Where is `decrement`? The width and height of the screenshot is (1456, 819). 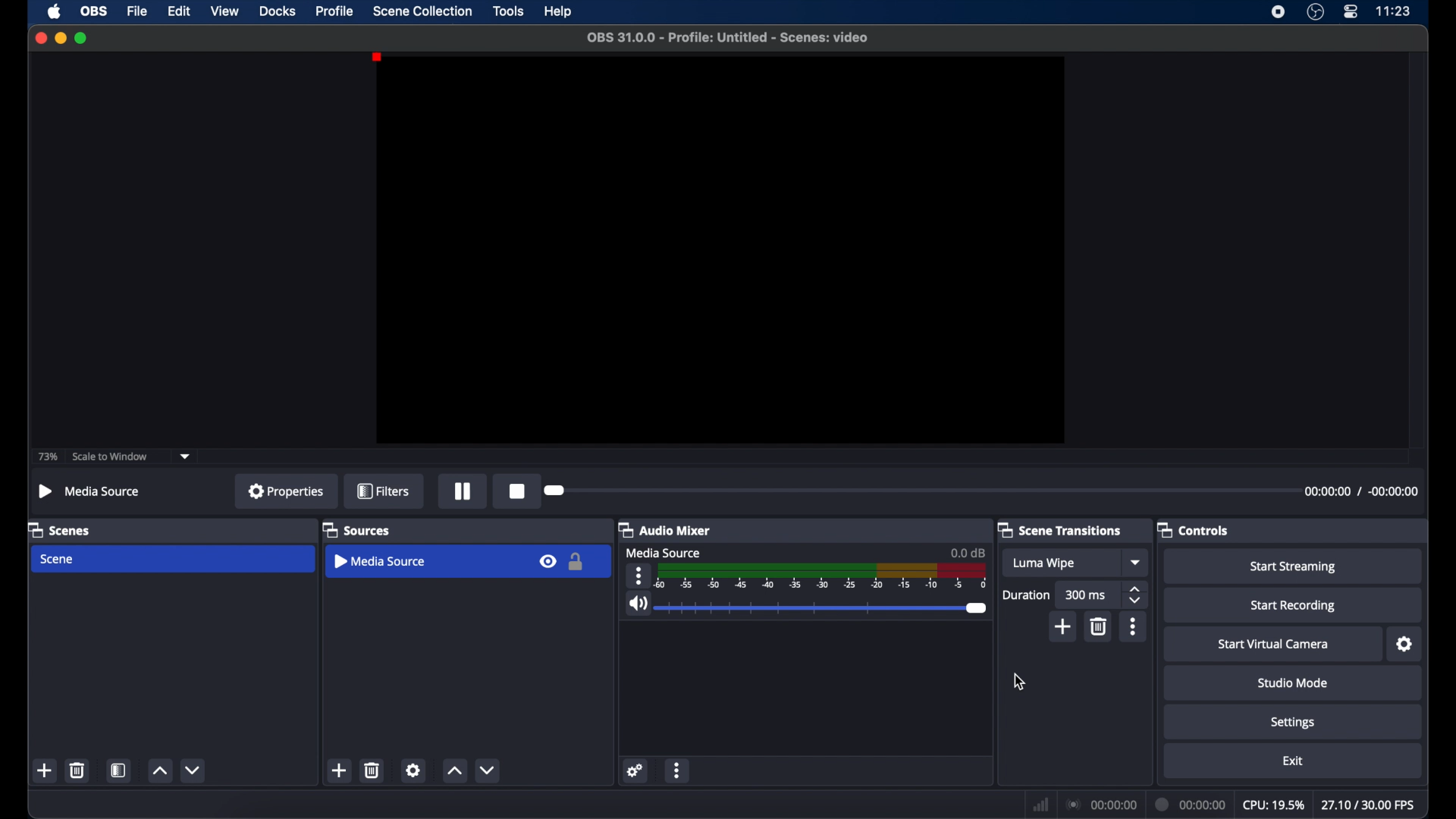 decrement is located at coordinates (193, 770).